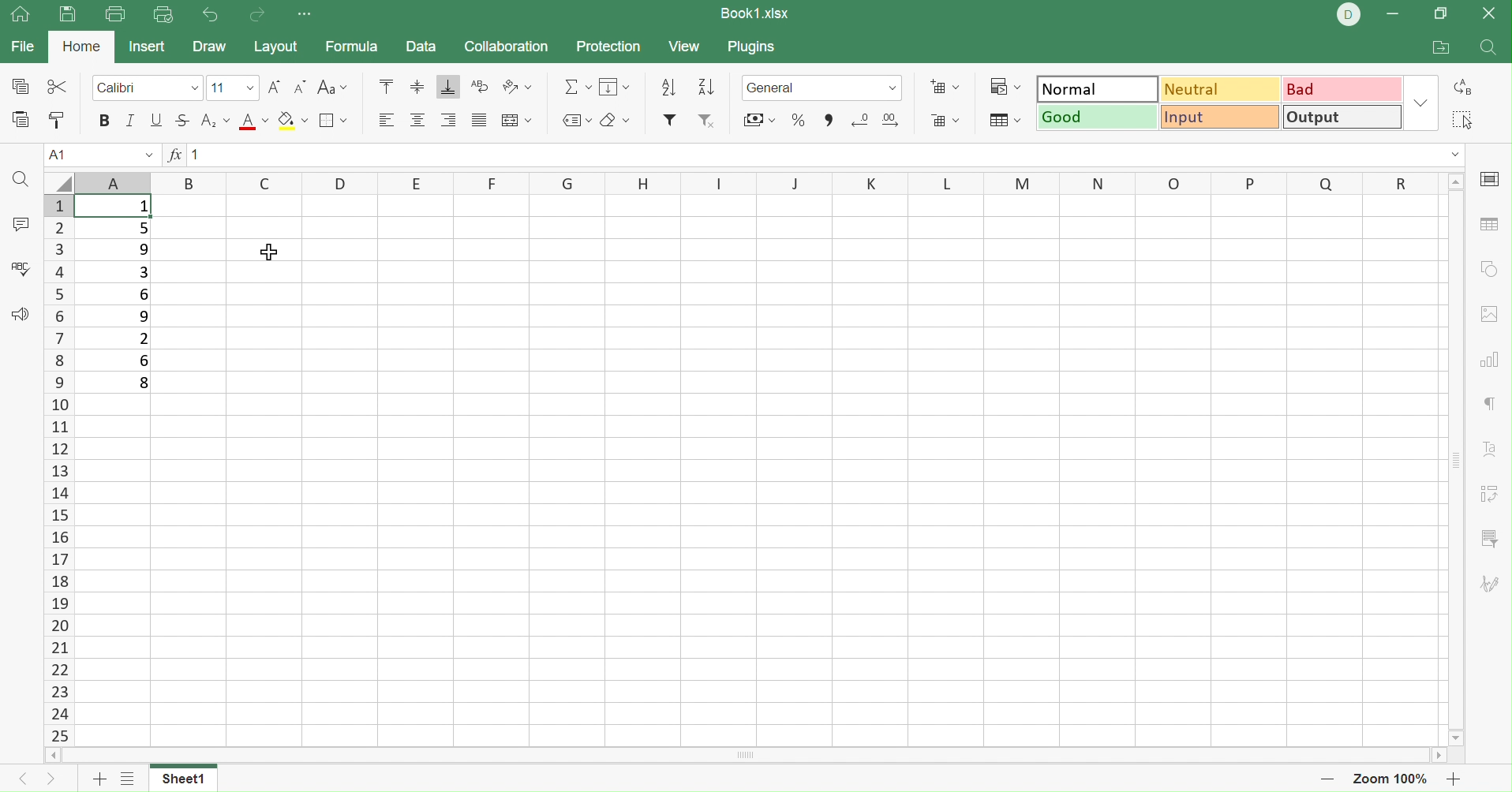 The height and width of the screenshot is (792, 1512). I want to click on Change case, so click(331, 87).